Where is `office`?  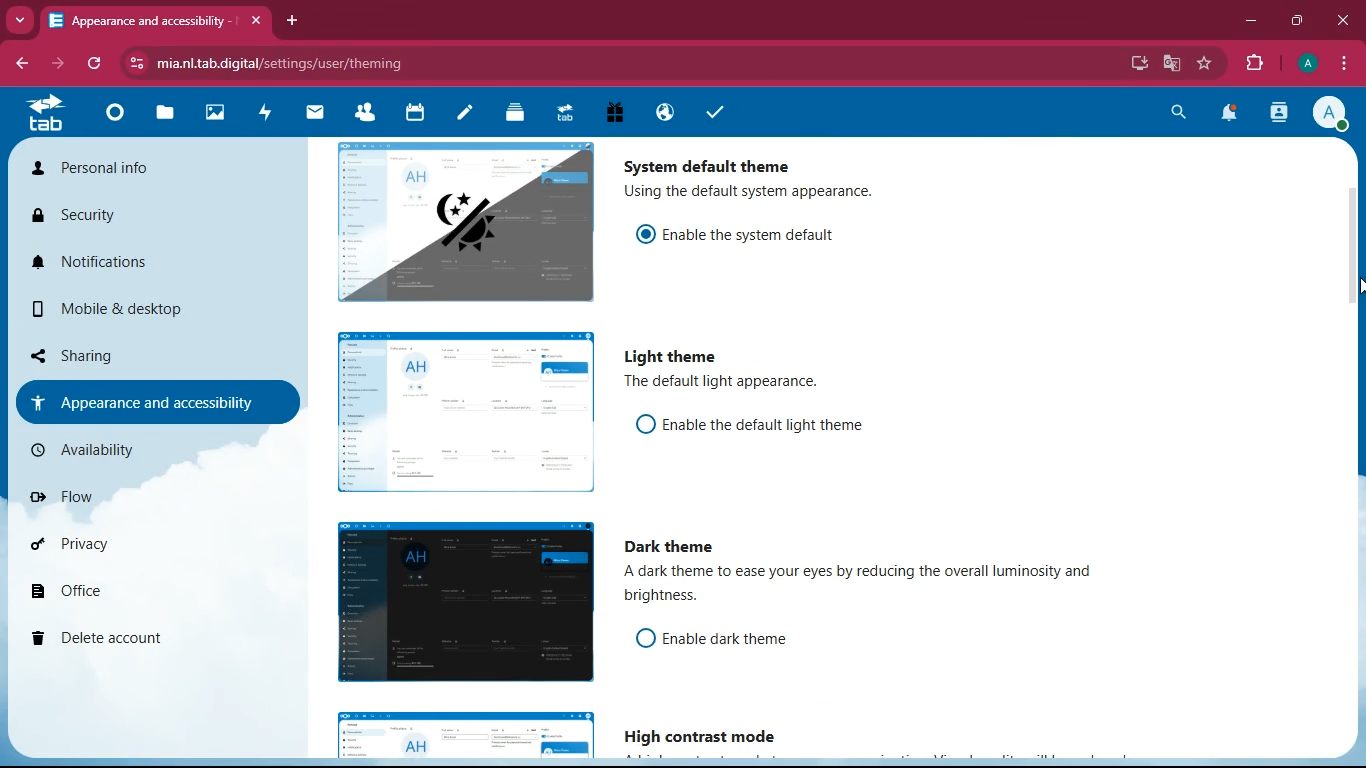
office is located at coordinates (138, 594).